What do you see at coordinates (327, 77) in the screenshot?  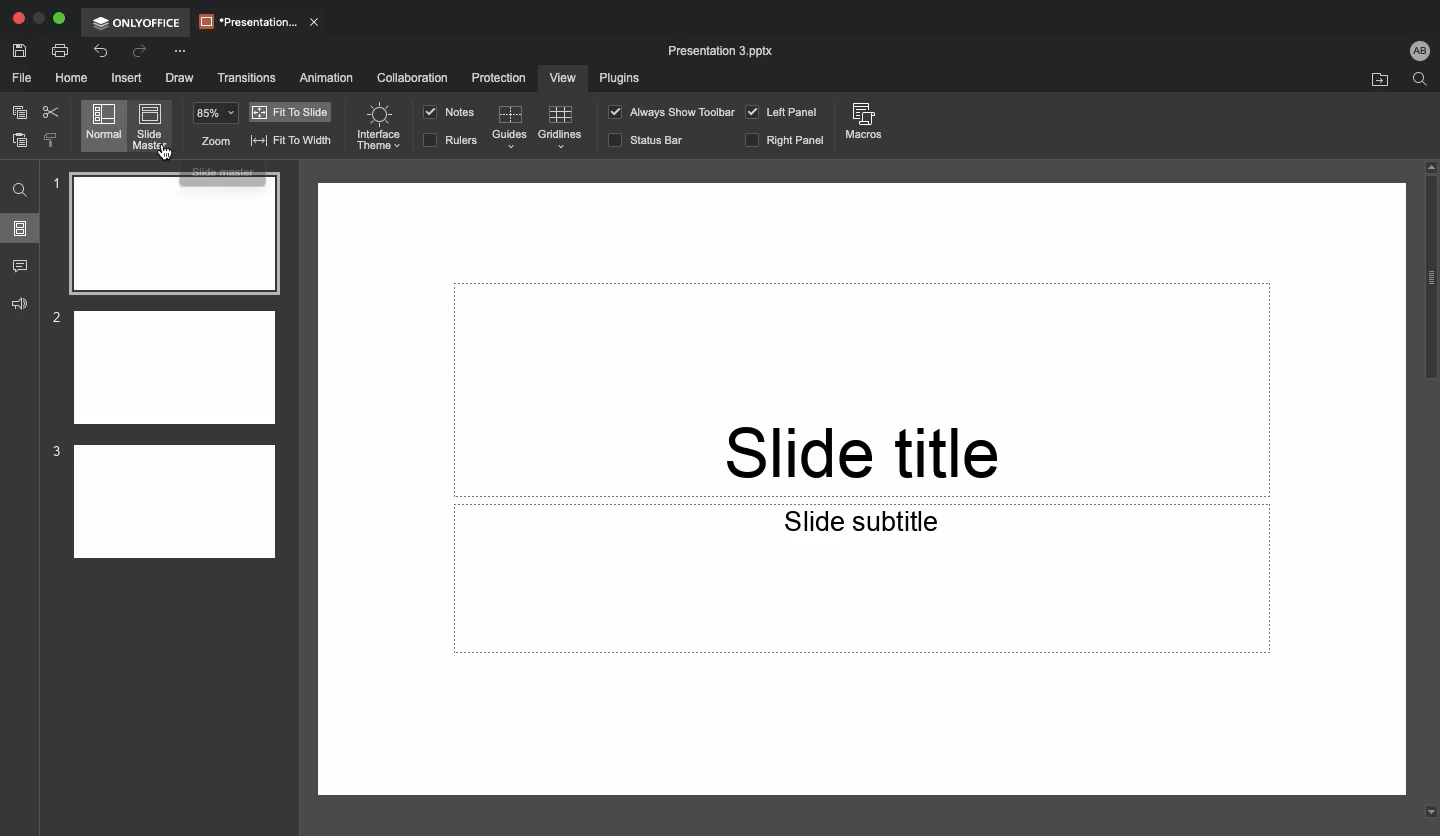 I see `Animation` at bounding box center [327, 77].